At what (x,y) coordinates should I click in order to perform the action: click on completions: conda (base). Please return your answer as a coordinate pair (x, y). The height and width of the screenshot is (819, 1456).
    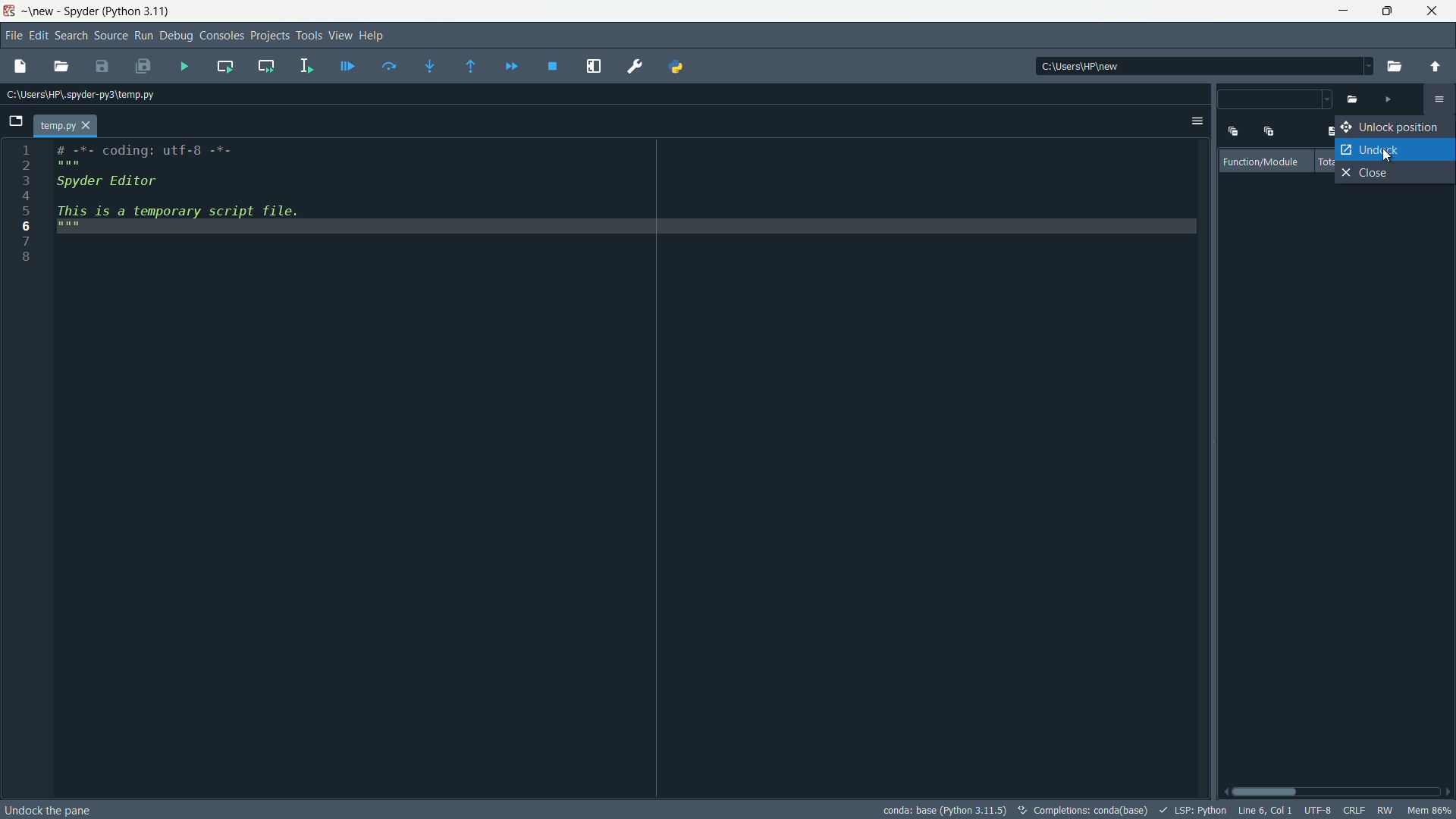
    Looking at the image, I should click on (1082, 808).